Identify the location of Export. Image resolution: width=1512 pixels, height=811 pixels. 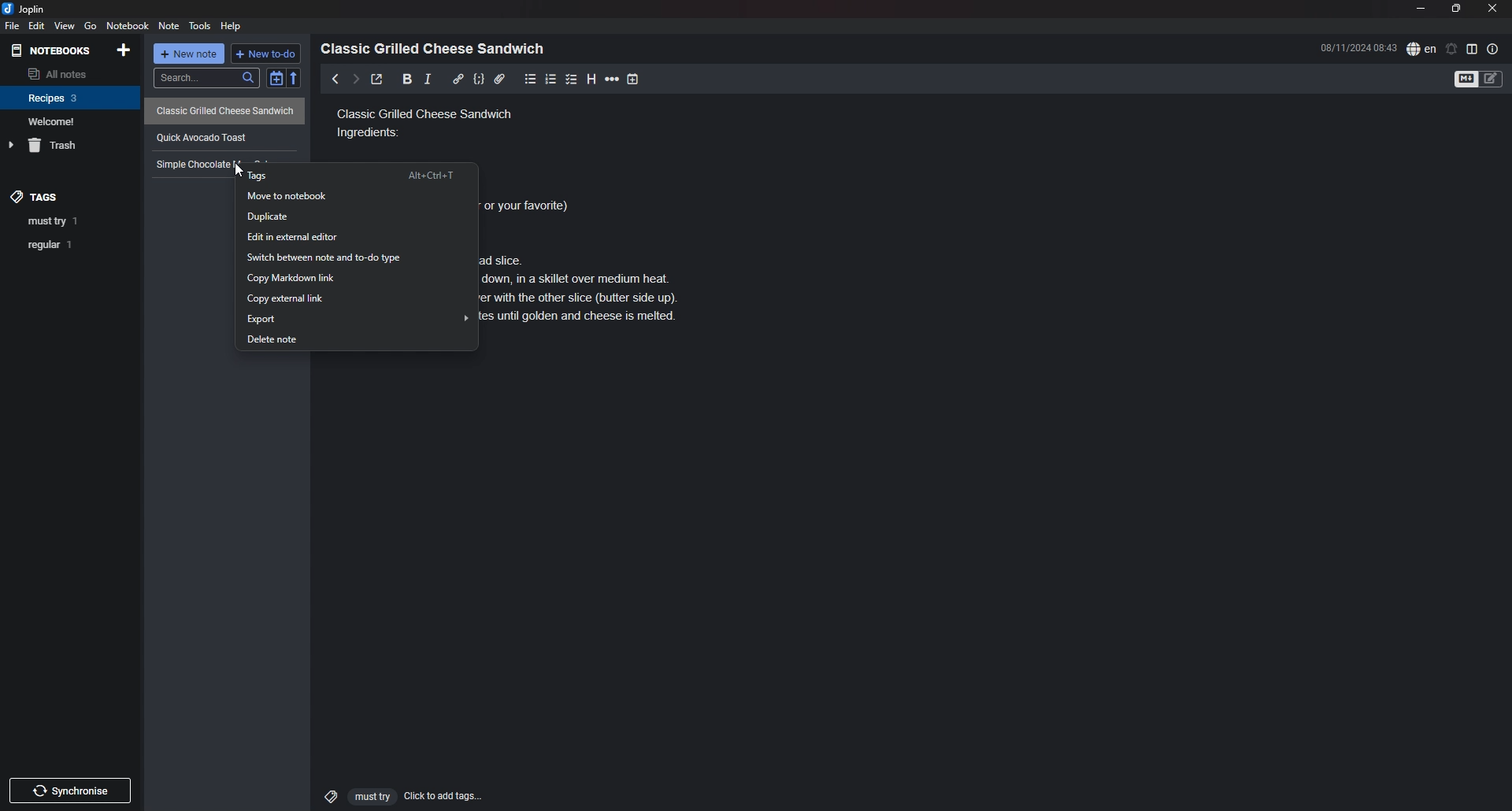
(356, 320).